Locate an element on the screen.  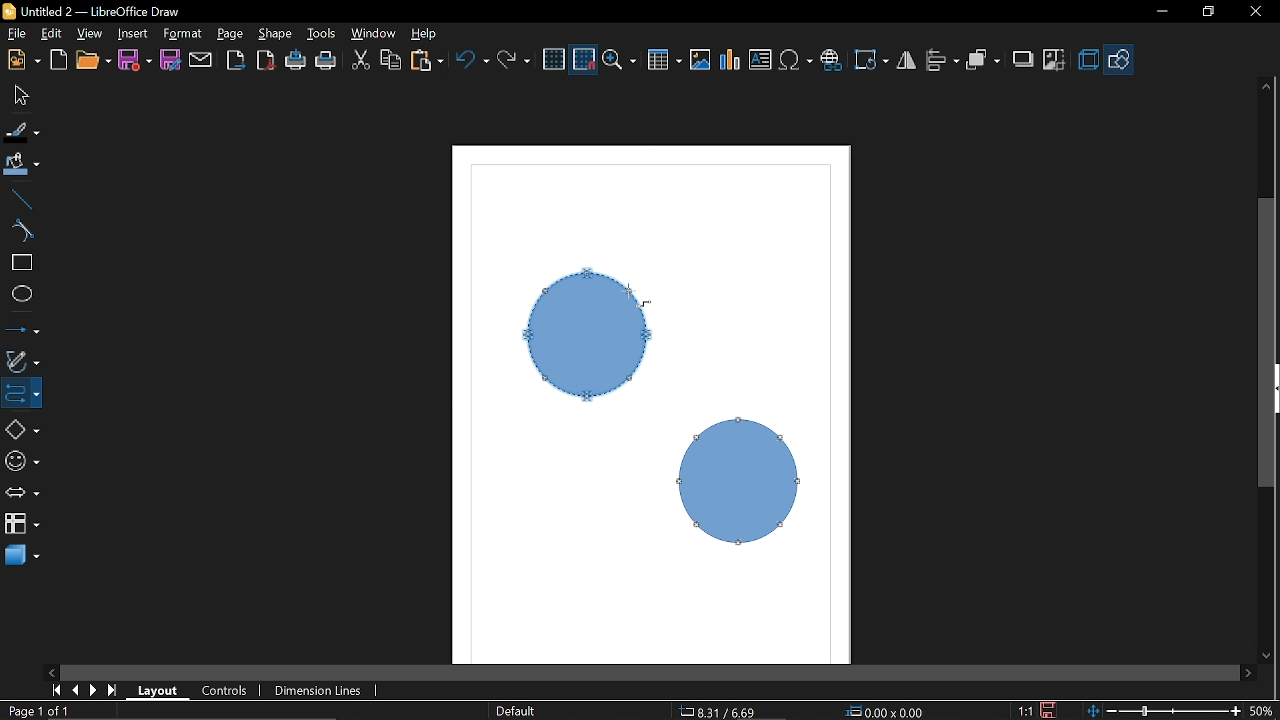
Control is located at coordinates (230, 691).